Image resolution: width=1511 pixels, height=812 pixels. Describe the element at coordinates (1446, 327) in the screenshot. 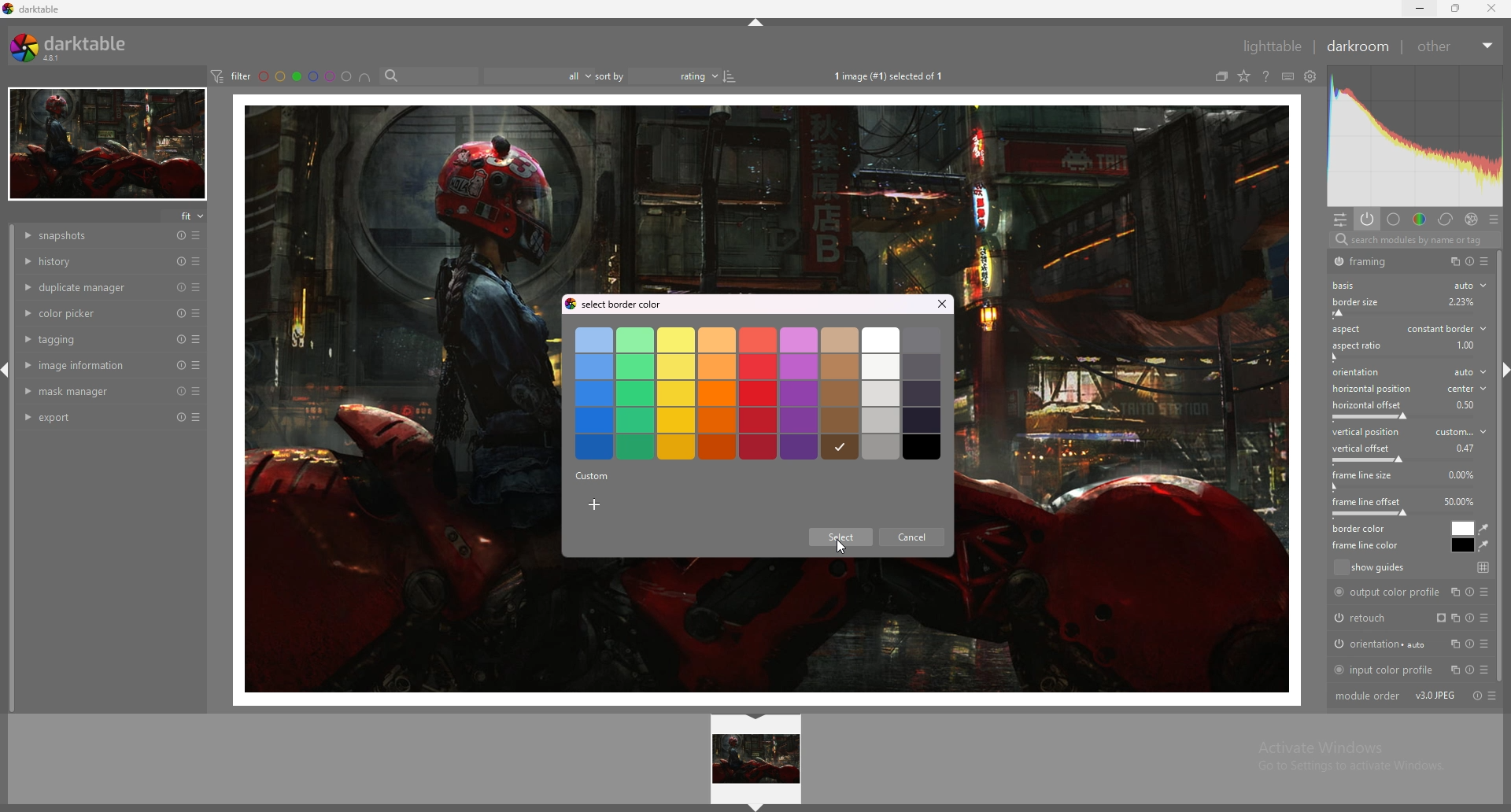

I see `aspect type` at that location.